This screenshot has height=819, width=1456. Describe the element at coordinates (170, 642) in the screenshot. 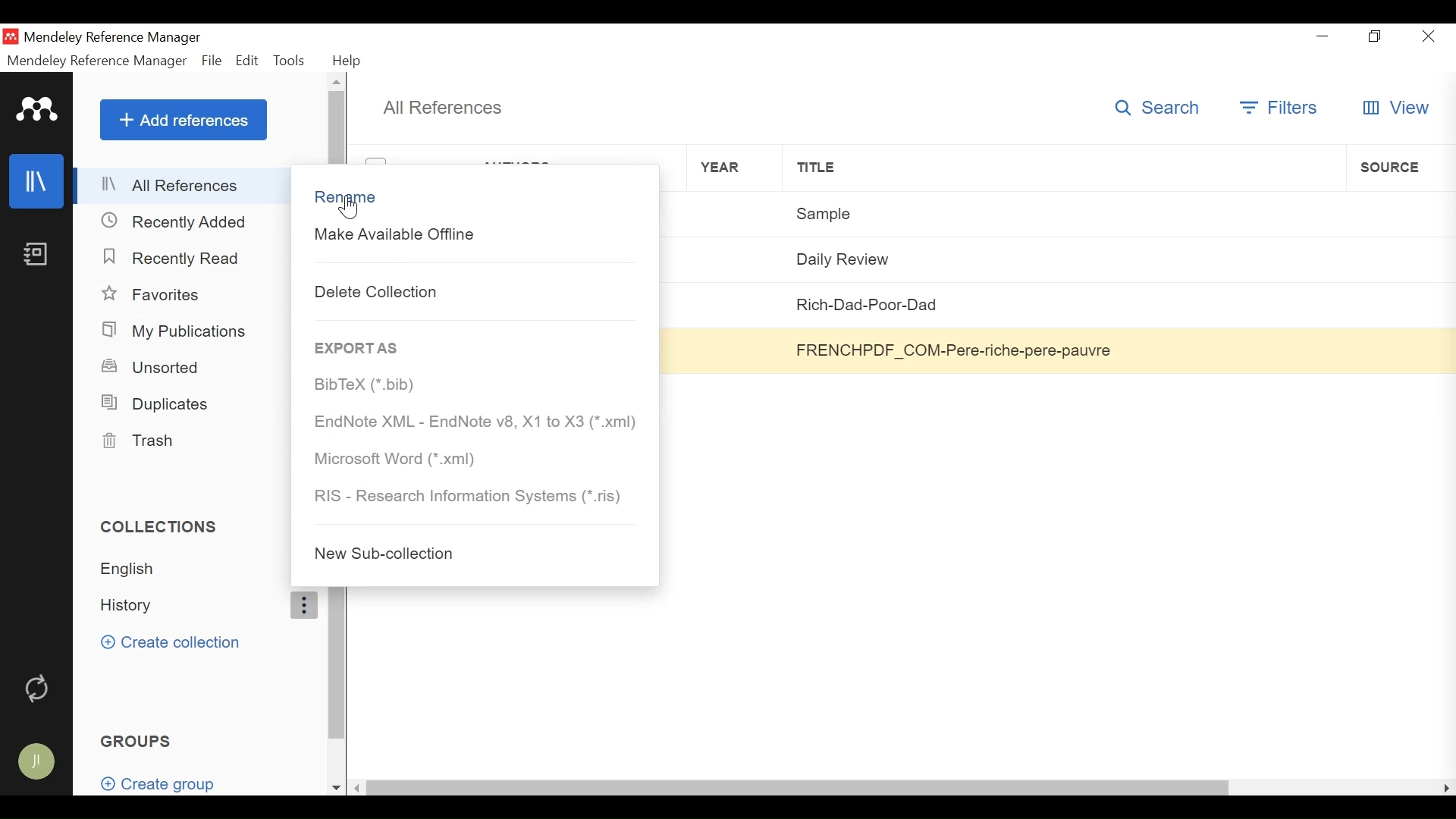

I see `Create Collecion` at that location.